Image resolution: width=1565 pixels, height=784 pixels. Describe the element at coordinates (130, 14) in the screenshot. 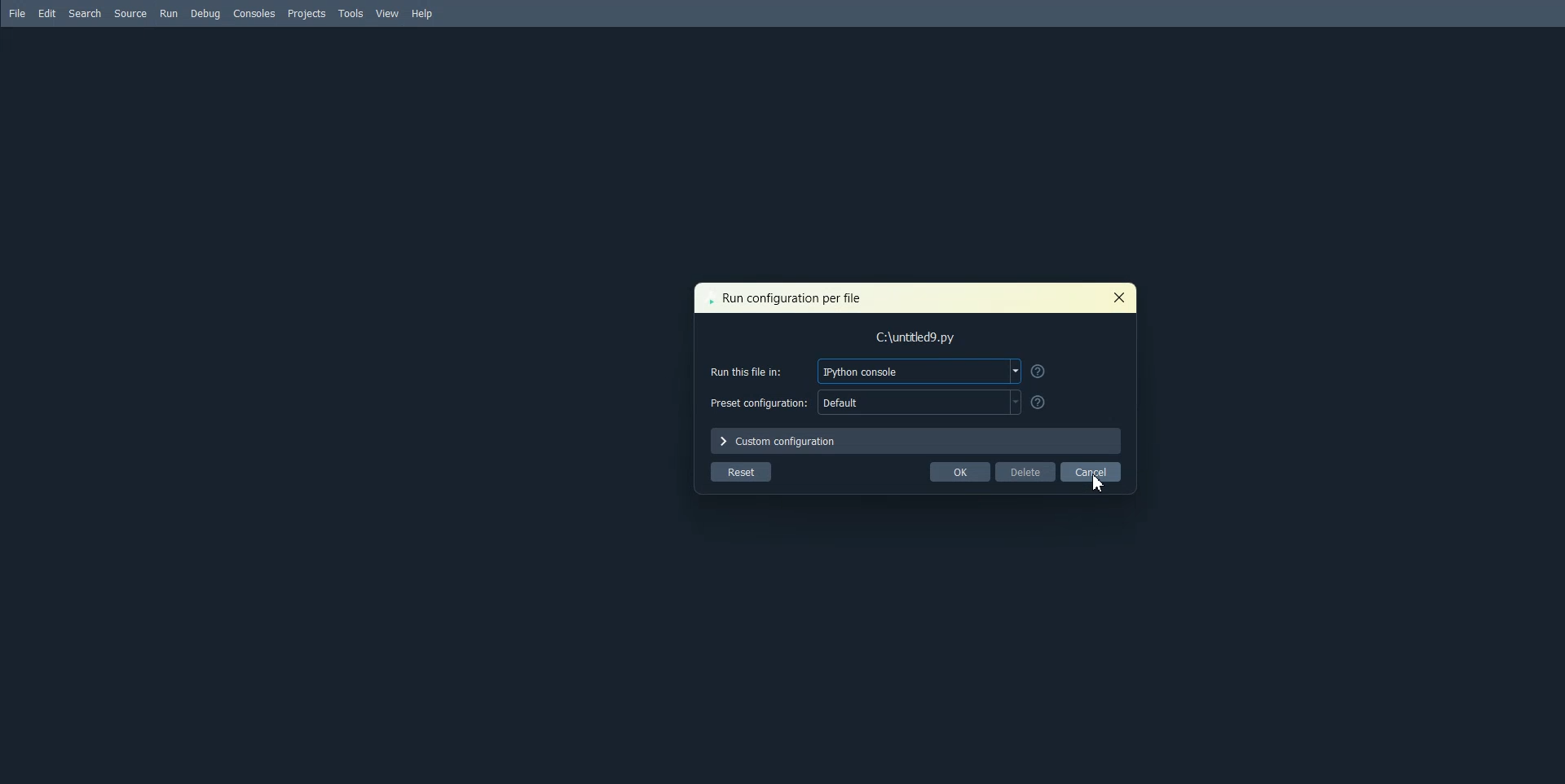

I see `Source` at that location.